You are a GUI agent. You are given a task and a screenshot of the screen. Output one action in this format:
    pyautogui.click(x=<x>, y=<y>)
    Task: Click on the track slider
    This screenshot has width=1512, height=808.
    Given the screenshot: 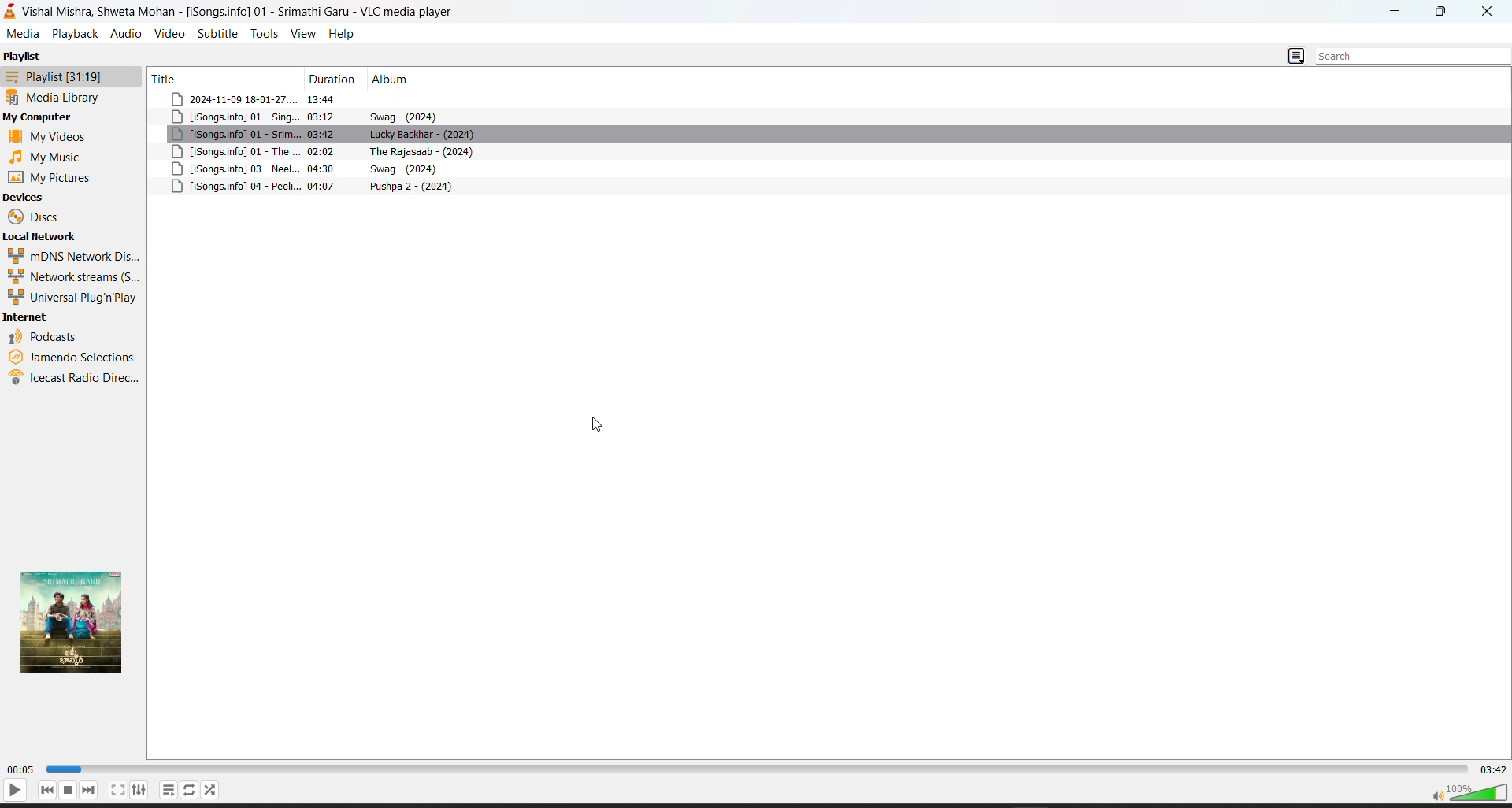 What is the action you would take?
    pyautogui.click(x=754, y=770)
    